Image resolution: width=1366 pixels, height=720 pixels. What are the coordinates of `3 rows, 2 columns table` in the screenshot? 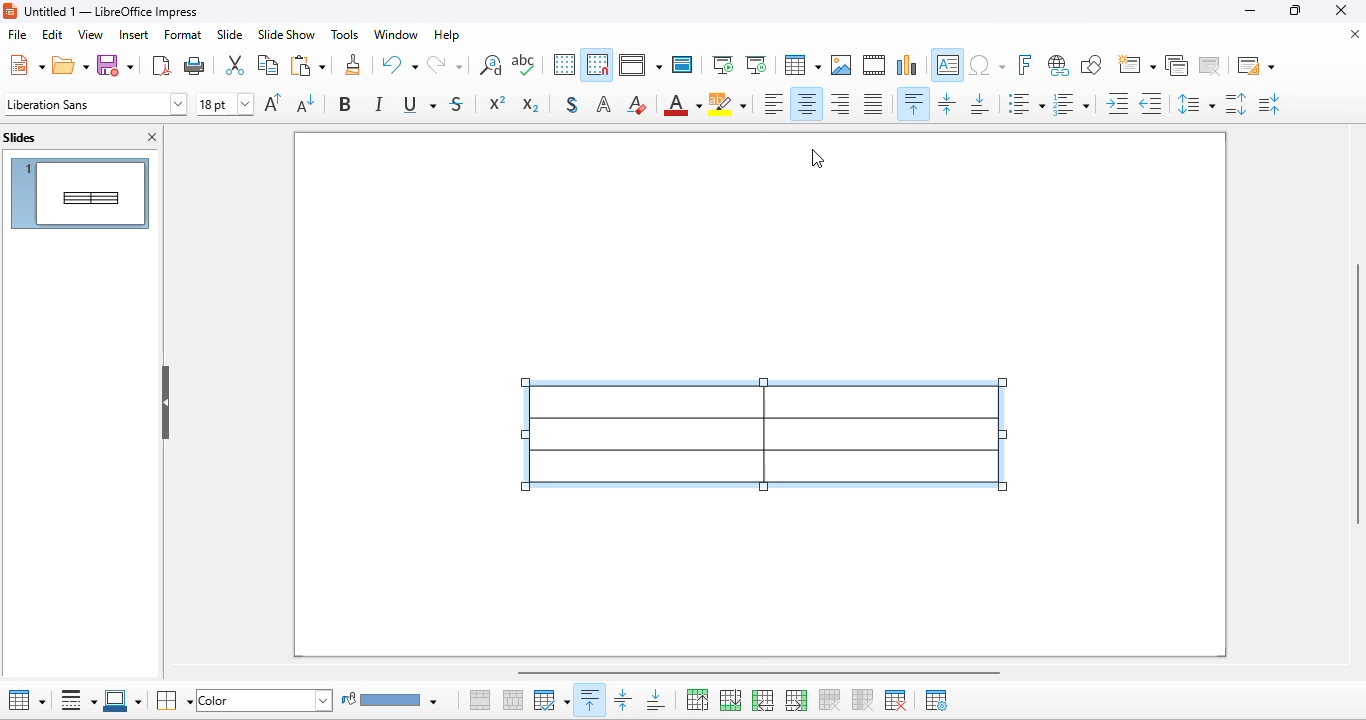 It's located at (766, 436).